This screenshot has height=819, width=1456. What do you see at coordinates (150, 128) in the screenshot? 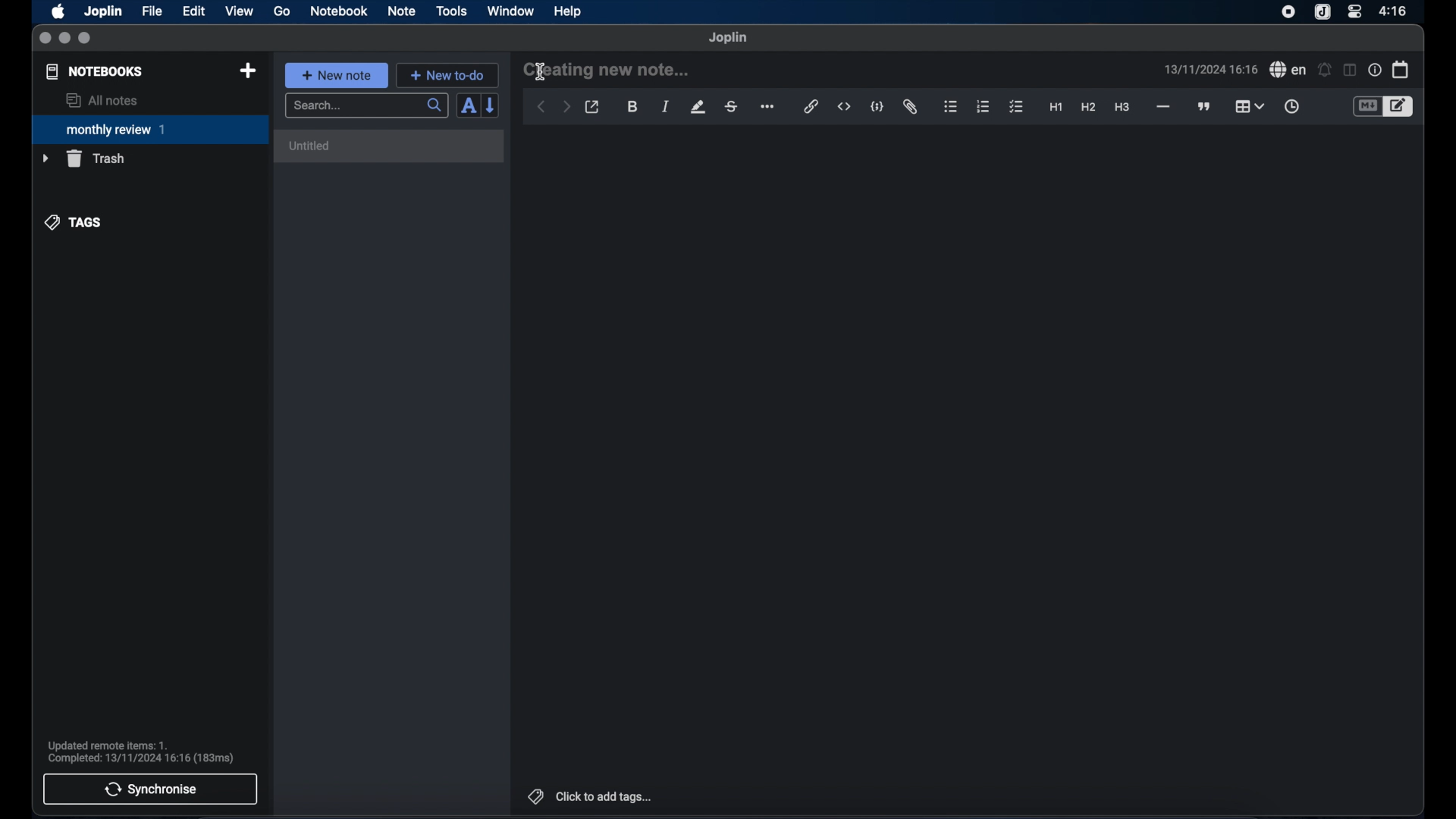
I see `monthly review` at bounding box center [150, 128].